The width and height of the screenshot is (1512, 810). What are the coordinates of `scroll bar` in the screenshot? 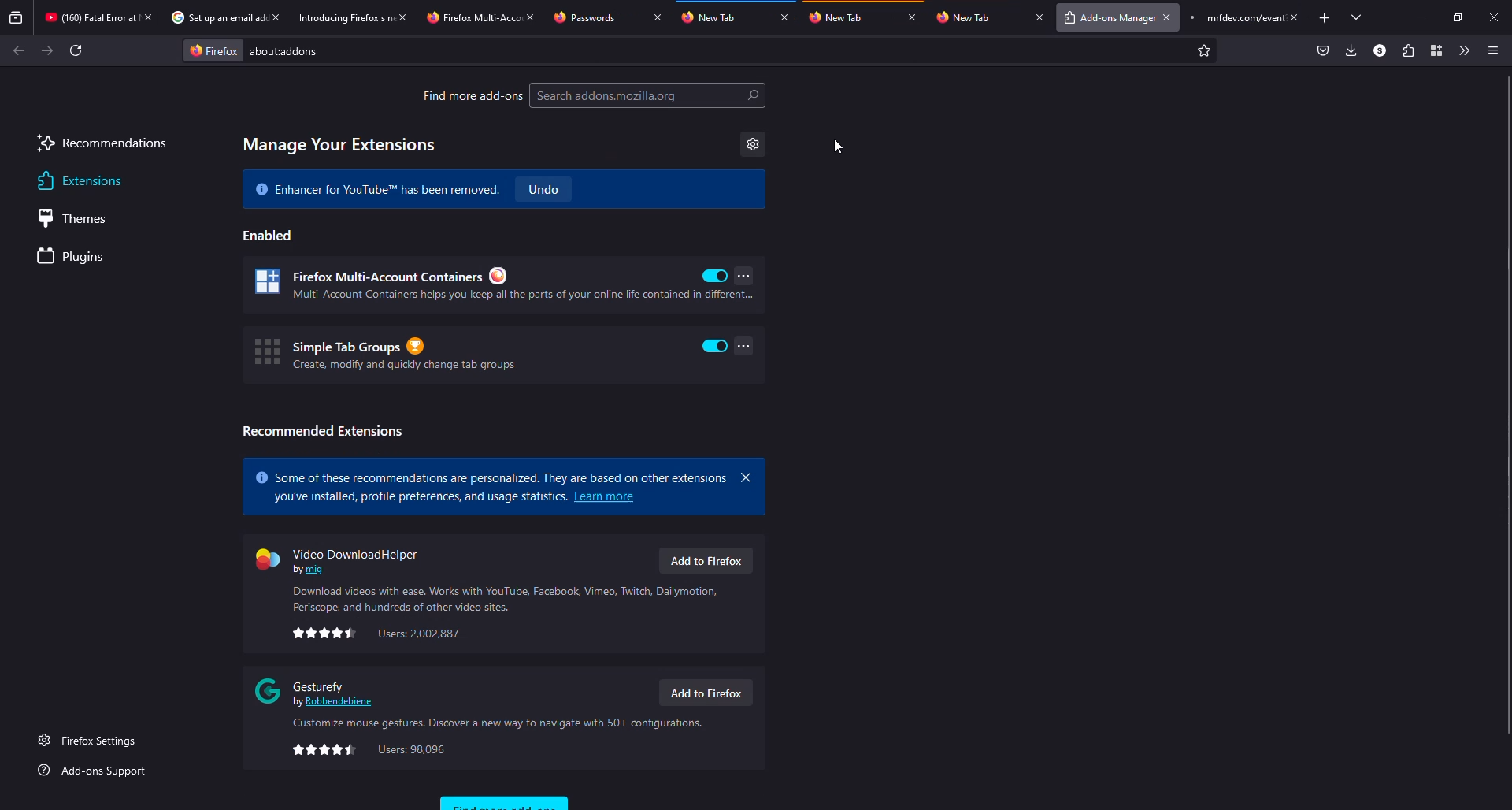 It's located at (1510, 394).